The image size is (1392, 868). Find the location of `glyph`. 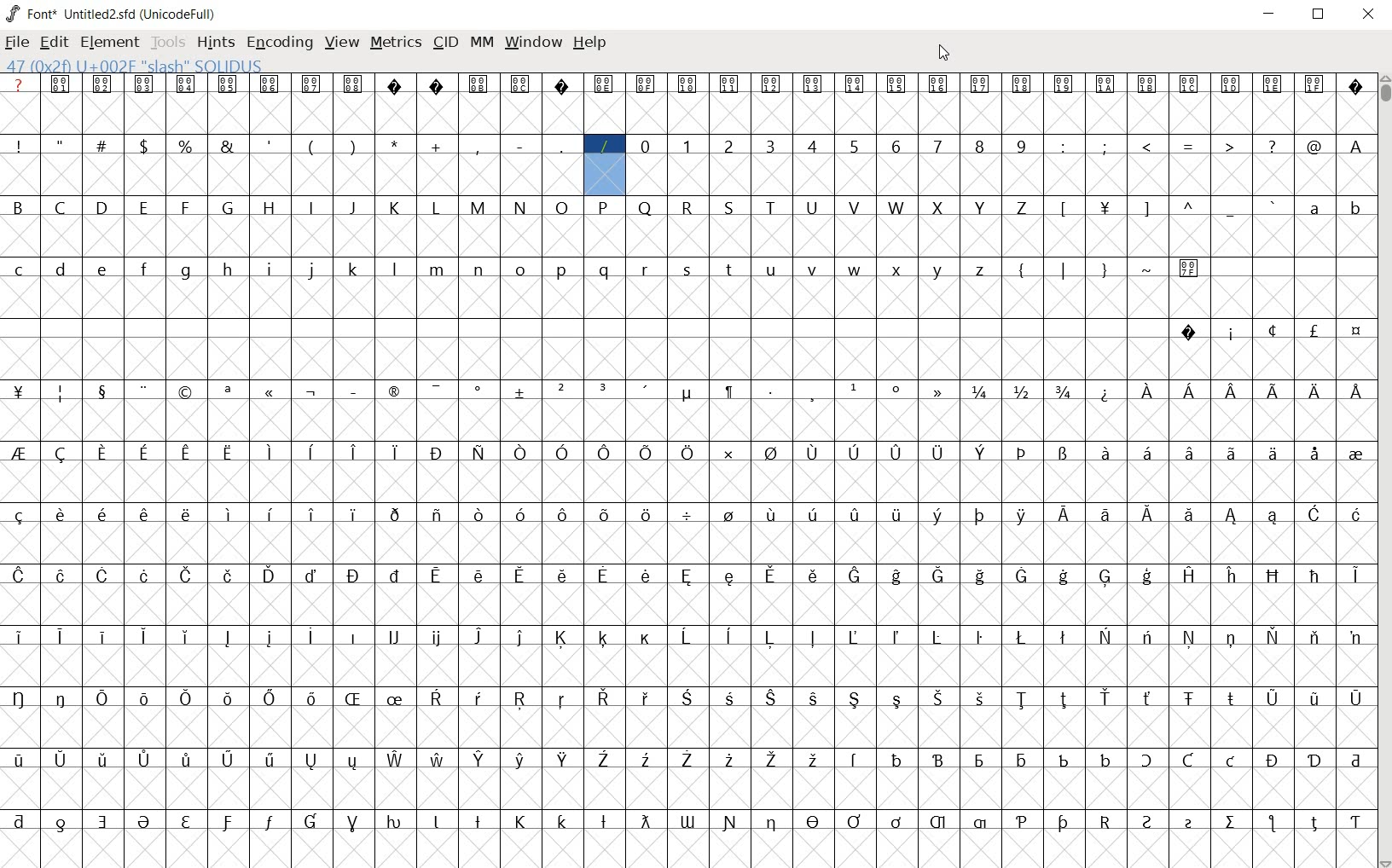

glyph is located at coordinates (732, 271).